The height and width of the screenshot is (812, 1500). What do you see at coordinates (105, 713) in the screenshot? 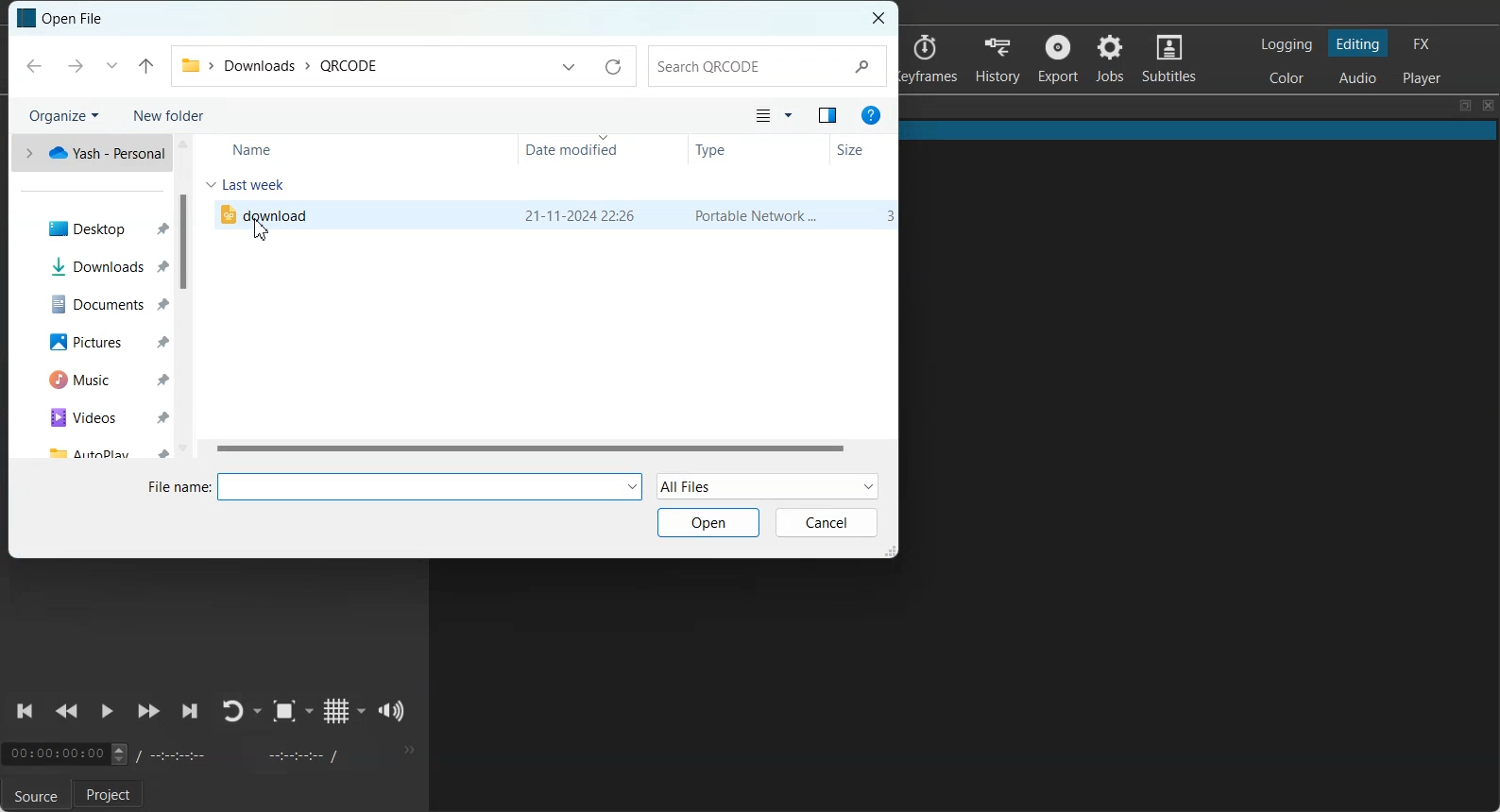
I see `Toggle Play or Pause` at bounding box center [105, 713].